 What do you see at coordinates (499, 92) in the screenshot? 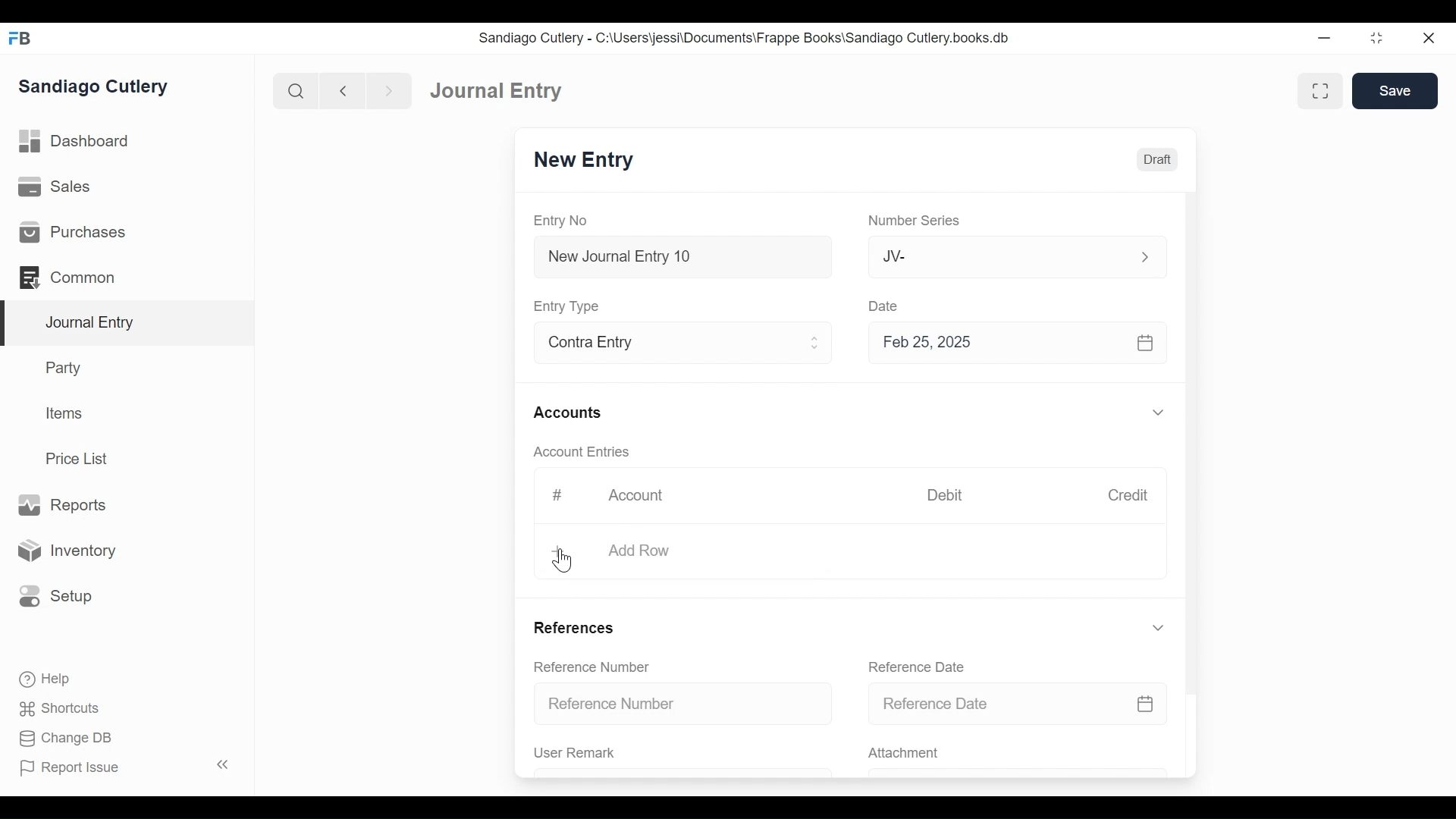
I see `Journal Entry` at bounding box center [499, 92].